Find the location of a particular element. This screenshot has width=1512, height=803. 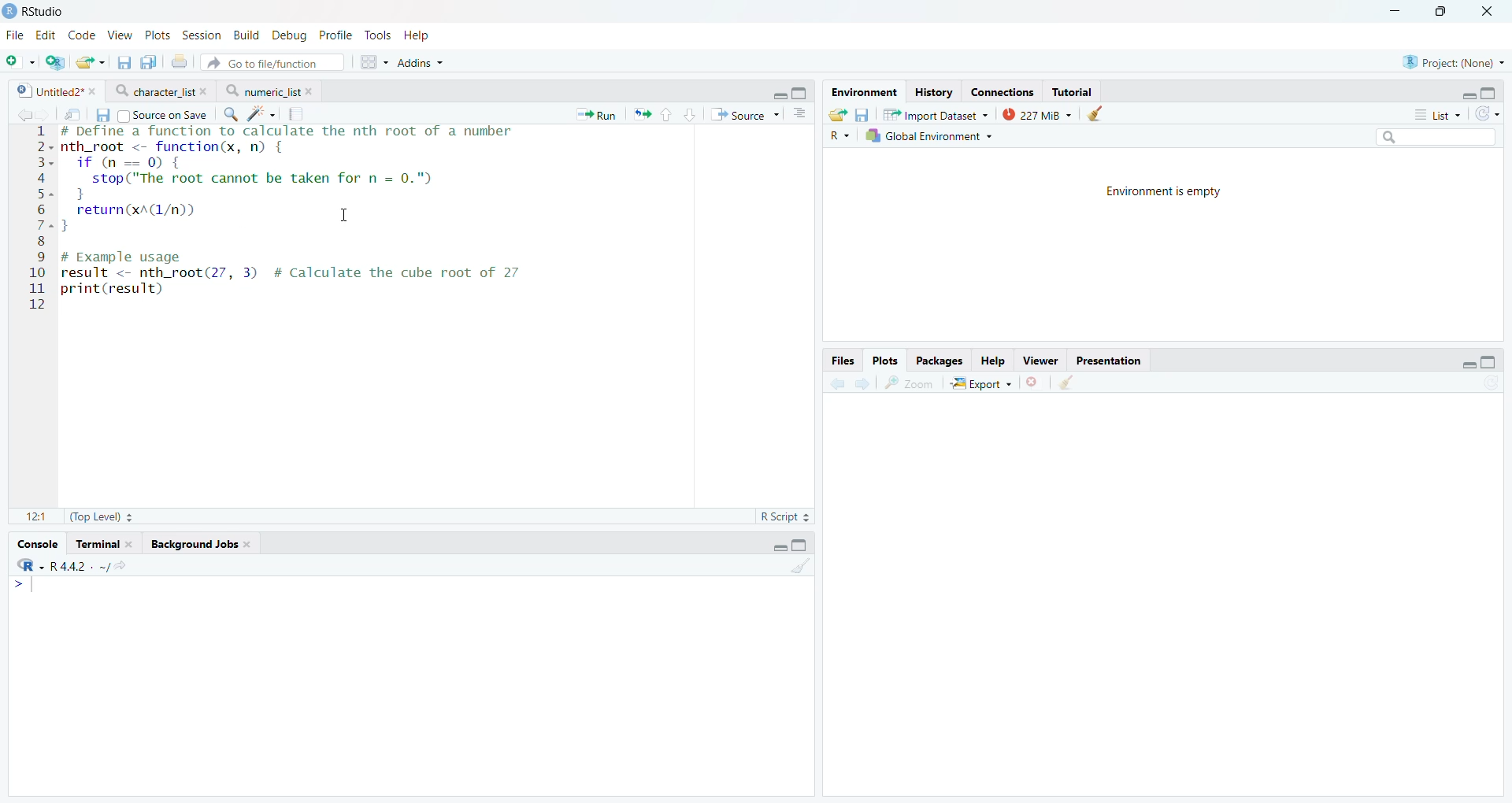

Search is located at coordinates (1434, 137).